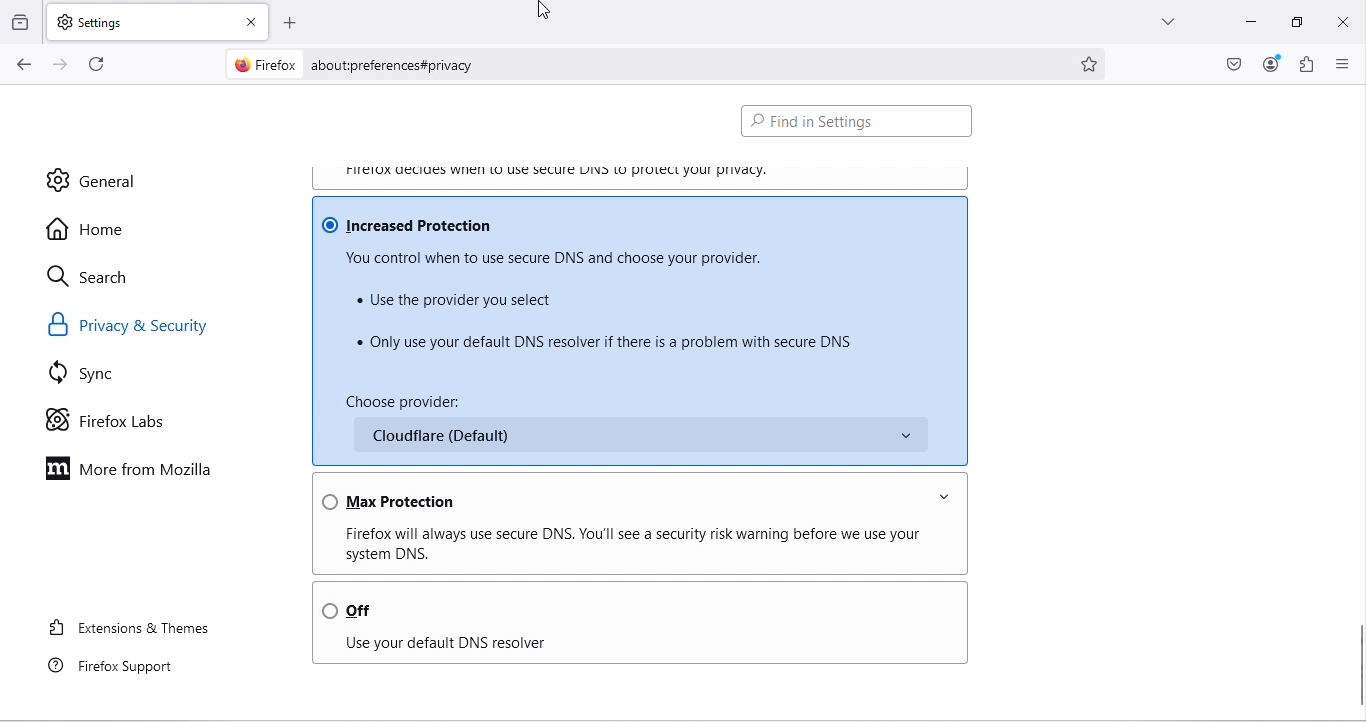  I want to click on Save to pocket, so click(1229, 62).